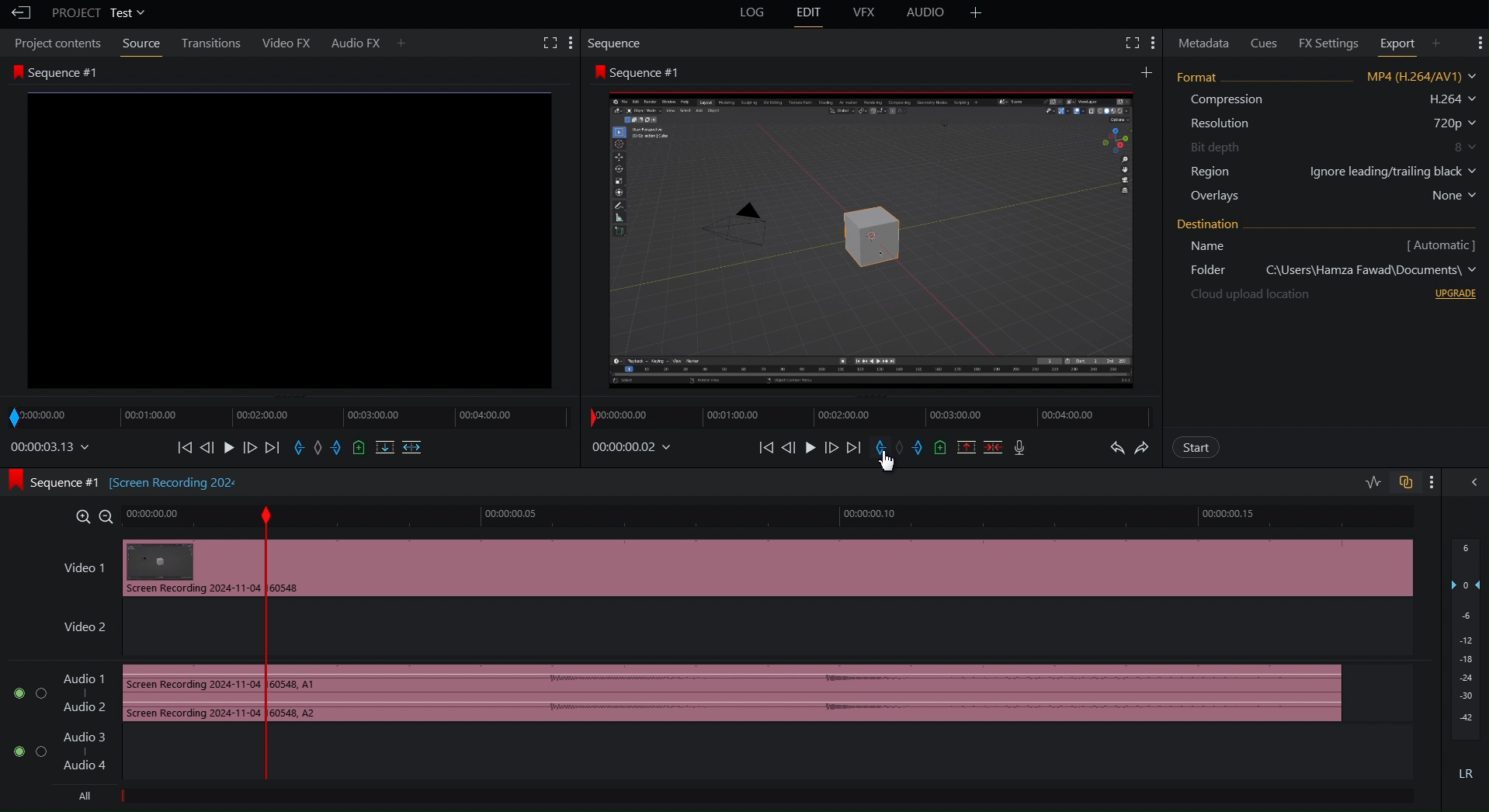 Image resolution: width=1489 pixels, height=812 pixels. I want to click on FX Settings, so click(1324, 42).